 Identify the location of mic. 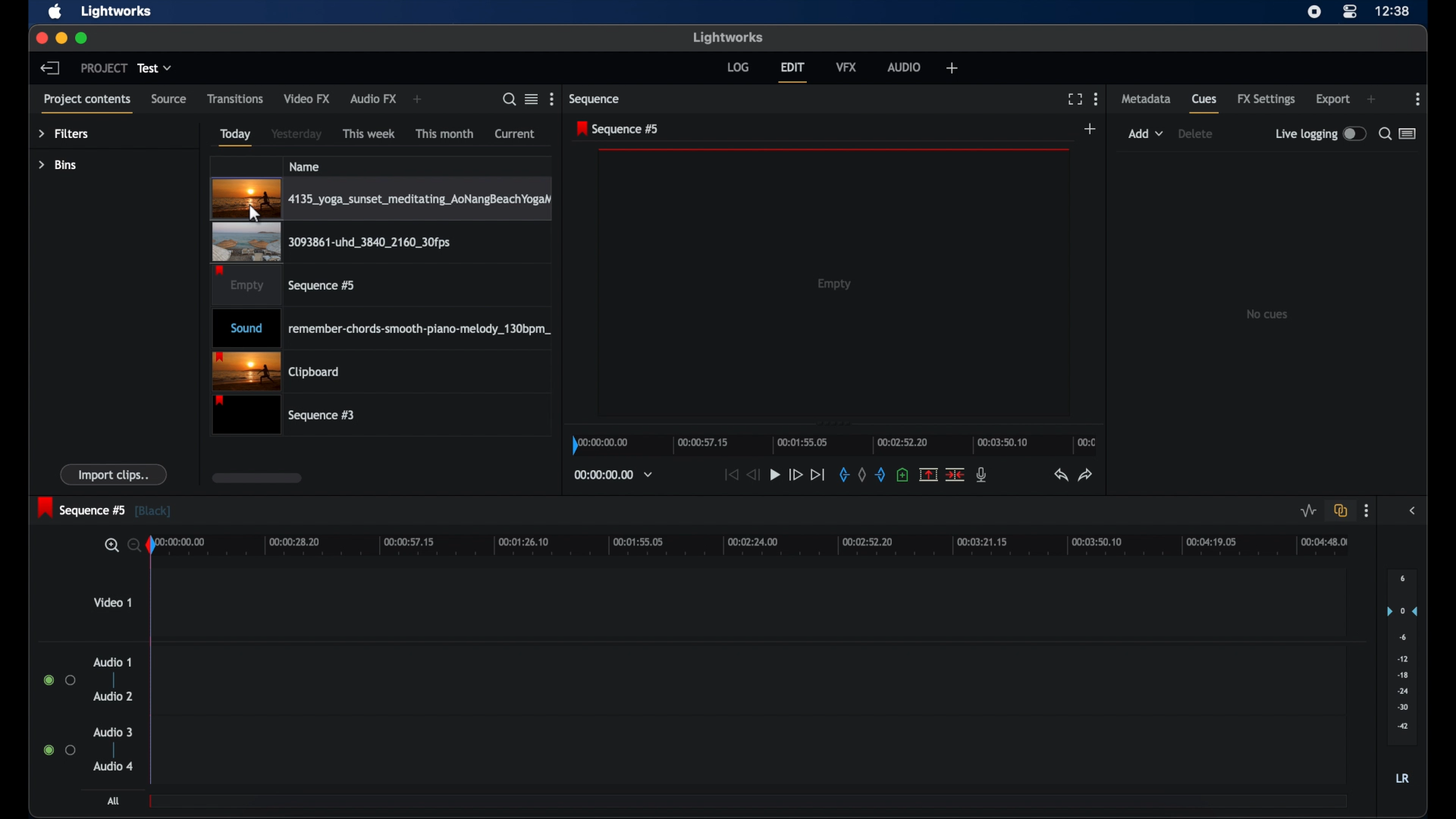
(983, 475).